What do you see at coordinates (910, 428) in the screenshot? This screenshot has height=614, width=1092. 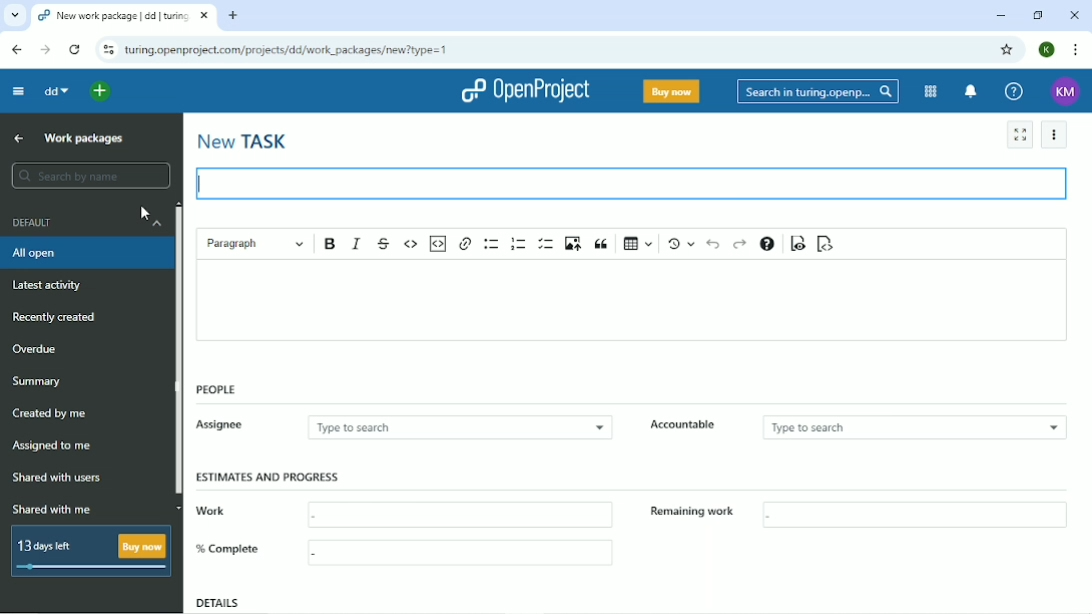 I see `Type to search` at bounding box center [910, 428].